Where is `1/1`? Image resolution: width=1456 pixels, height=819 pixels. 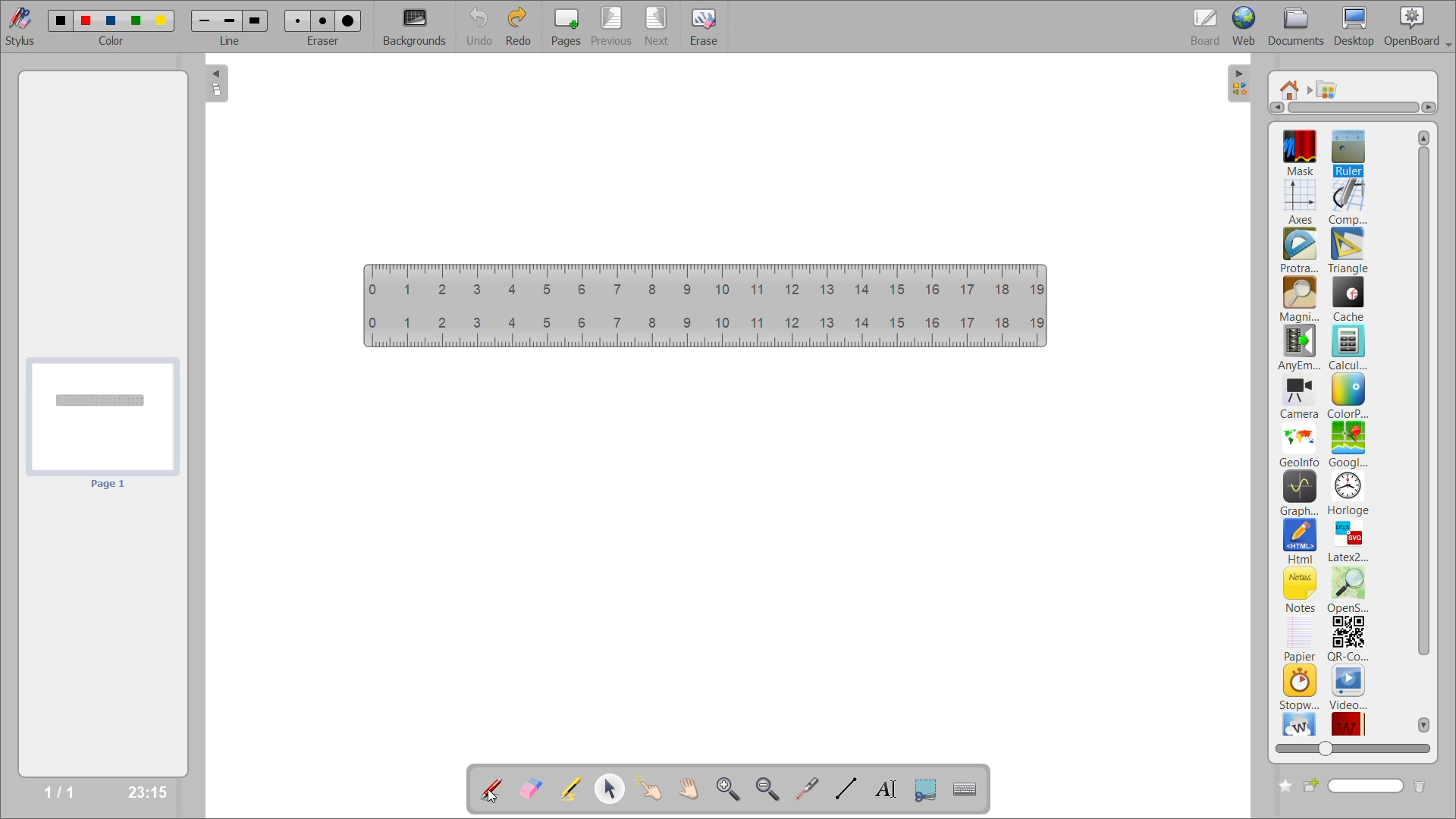 1/1 is located at coordinates (64, 792).